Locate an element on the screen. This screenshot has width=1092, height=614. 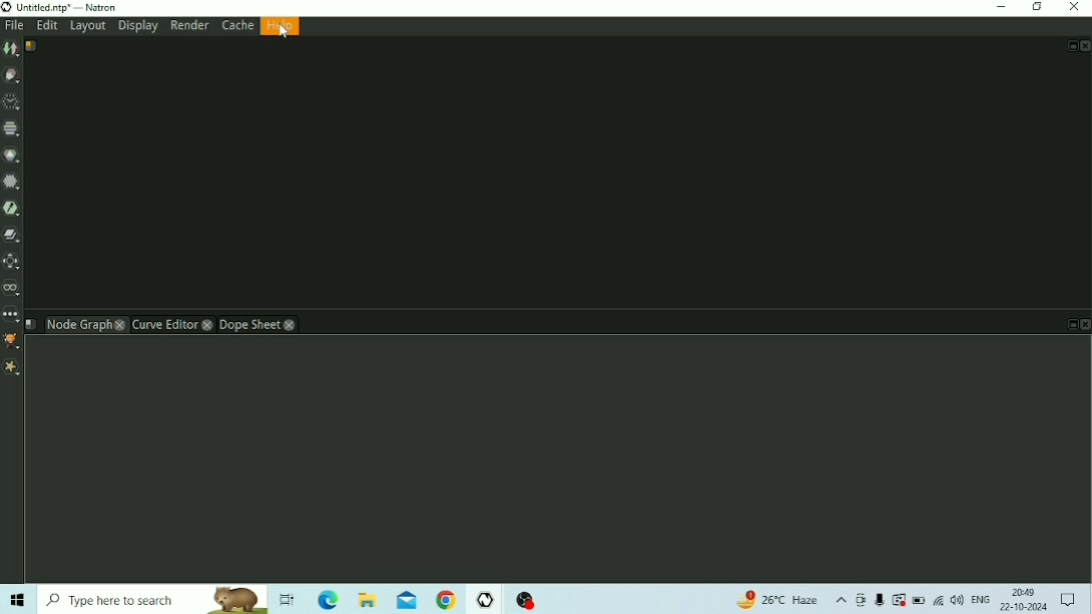
 is located at coordinates (478, 637).